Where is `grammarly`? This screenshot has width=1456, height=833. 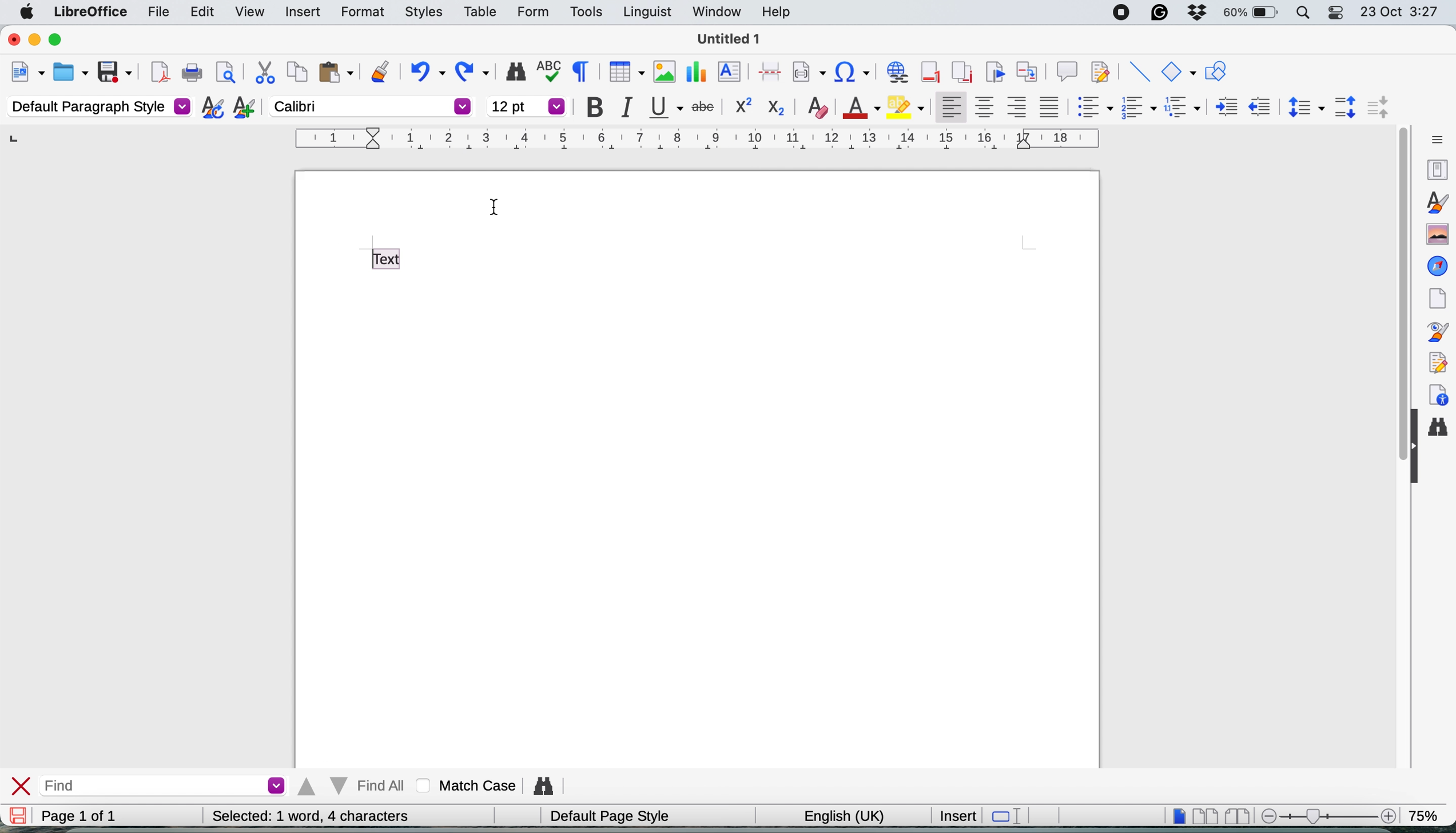
grammarly is located at coordinates (1157, 14).